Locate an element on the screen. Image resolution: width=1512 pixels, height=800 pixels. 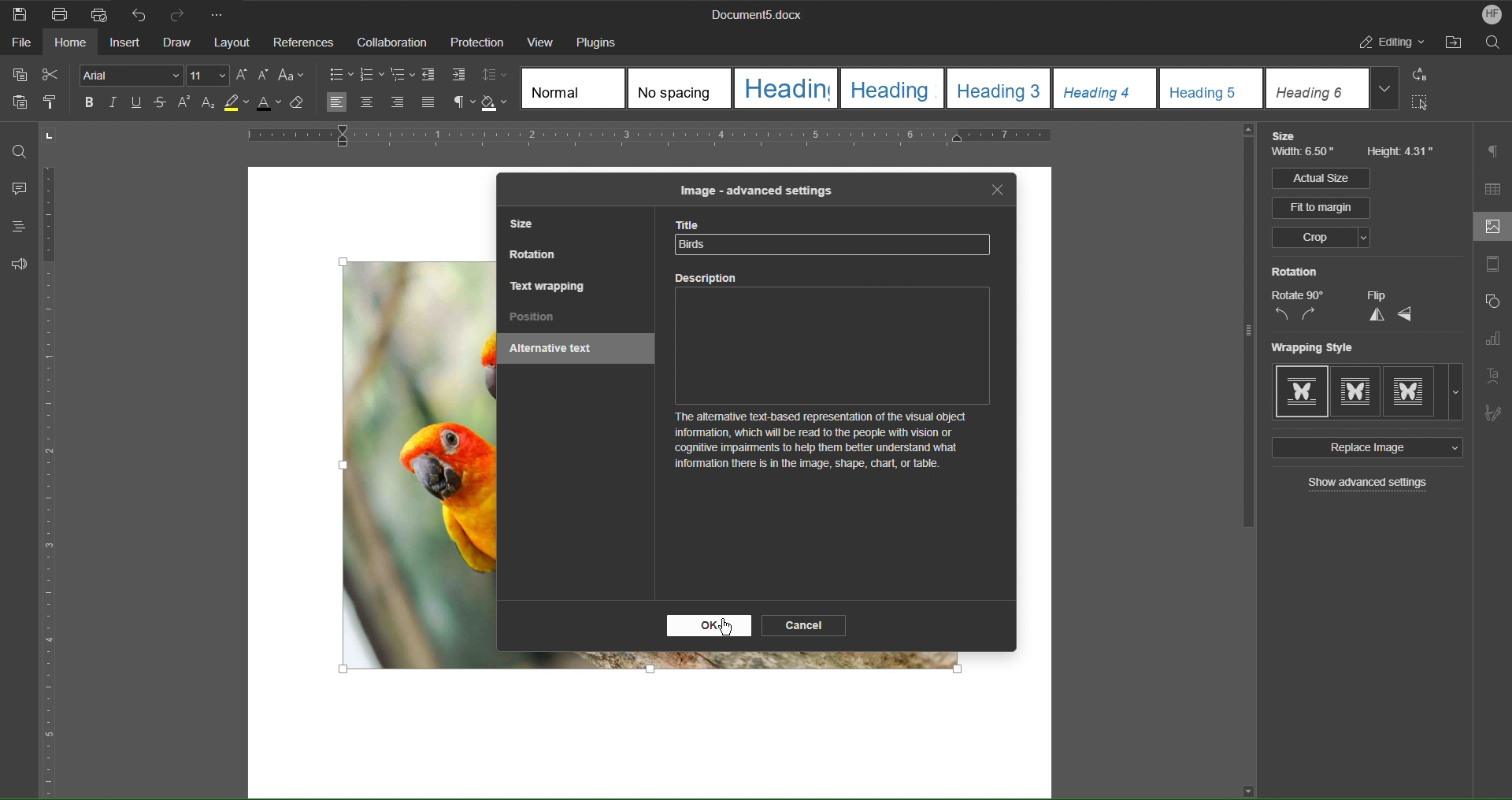
Size is located at coordinates (527, 226).